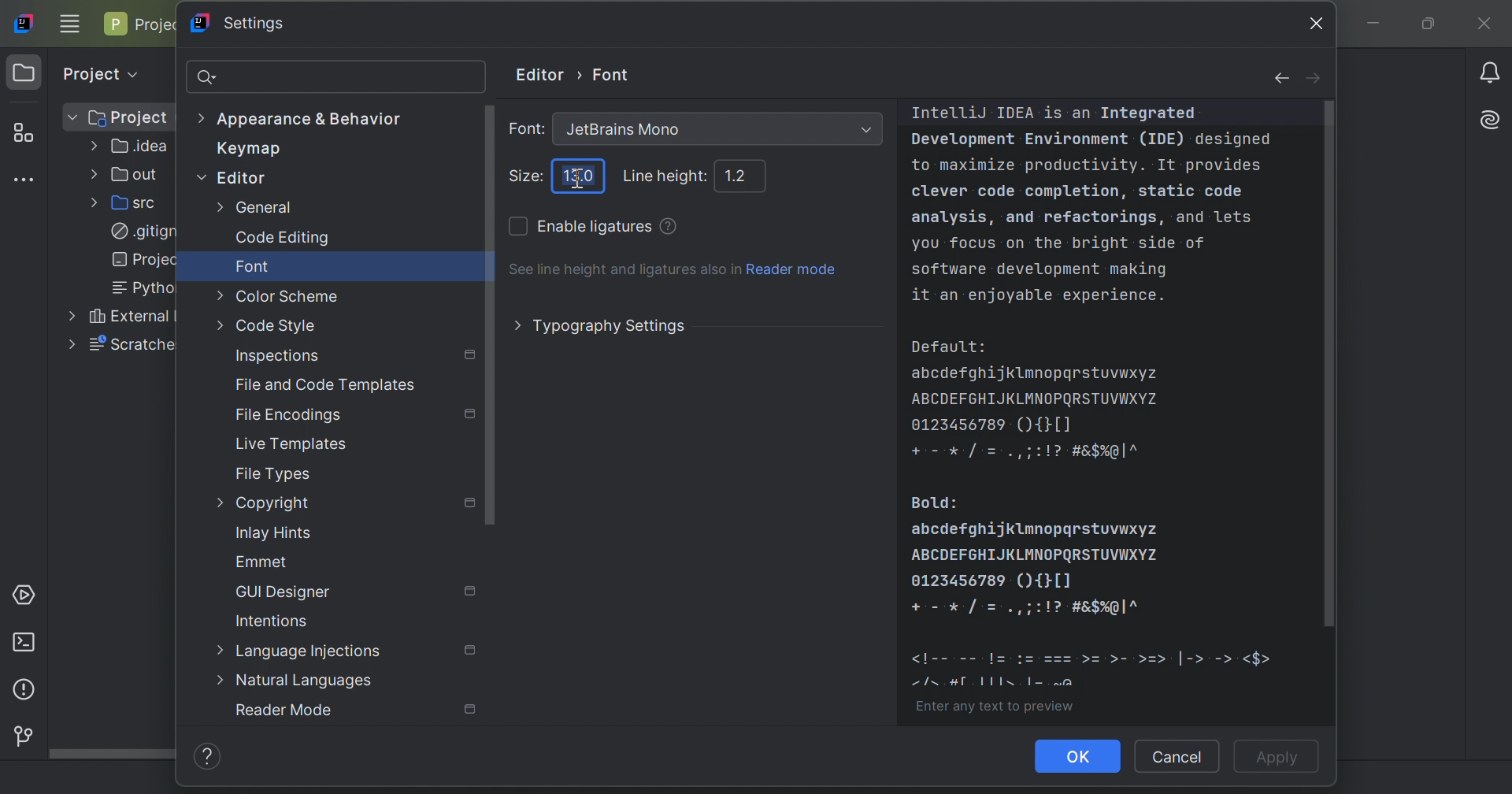 This screenshot has width=1512, height=794. I want to click on Problems, so click(22, 692).